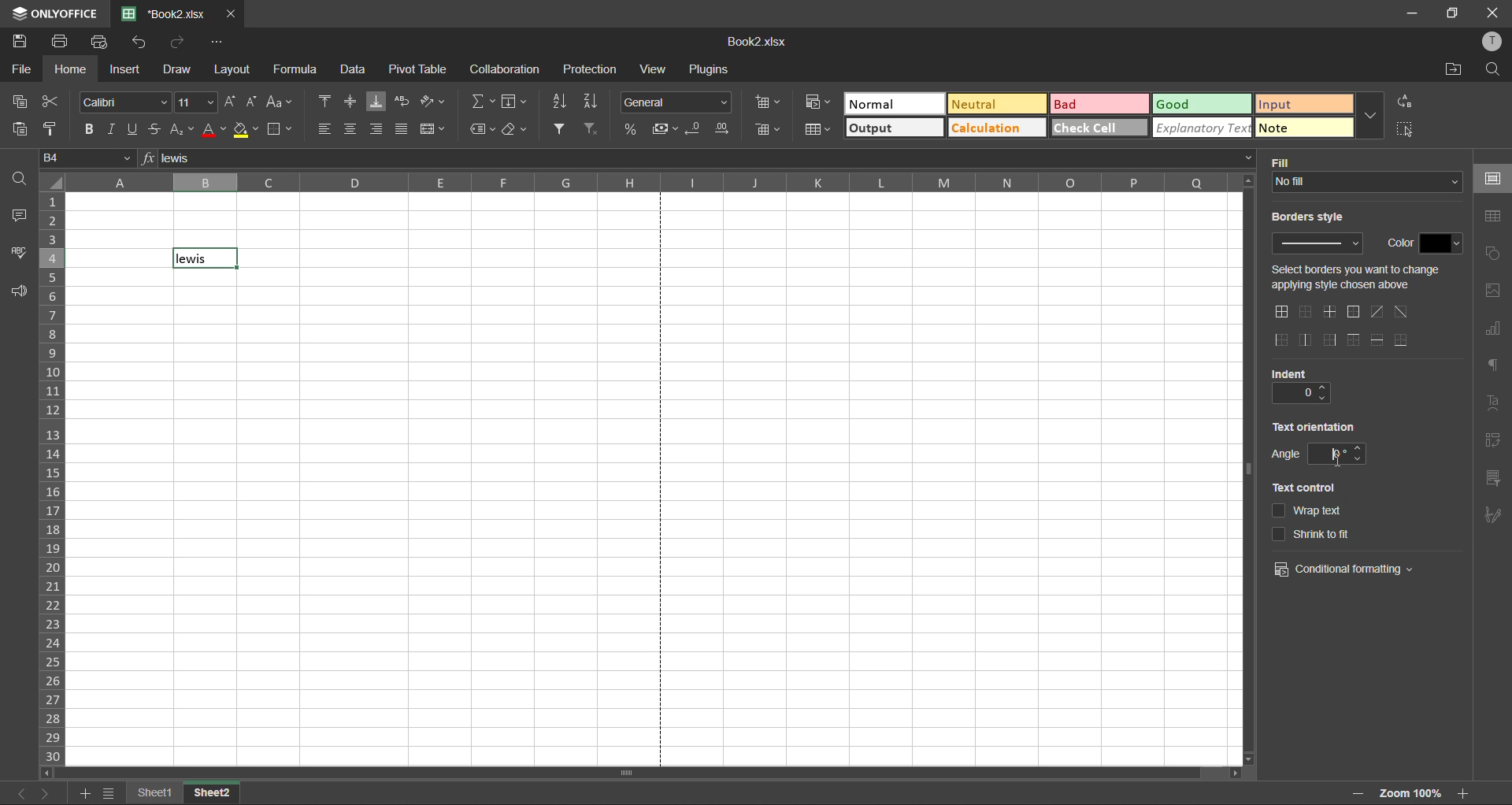 Image resolution: width=1512 pixels, height=805 pixels. I want to click on table, so click(1493, 218).